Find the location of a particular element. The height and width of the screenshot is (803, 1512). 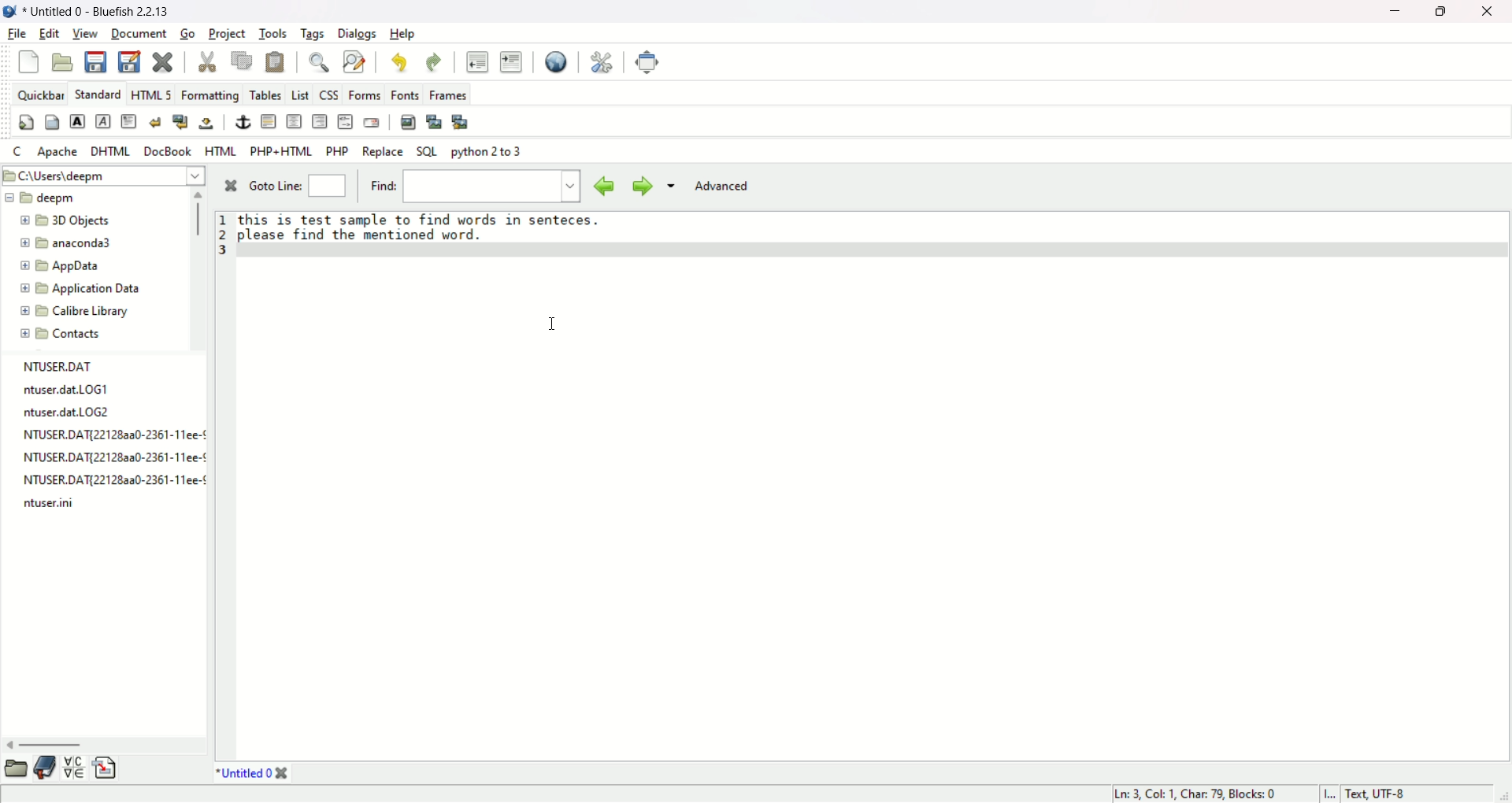

logo is located at coordinates (14, 12).